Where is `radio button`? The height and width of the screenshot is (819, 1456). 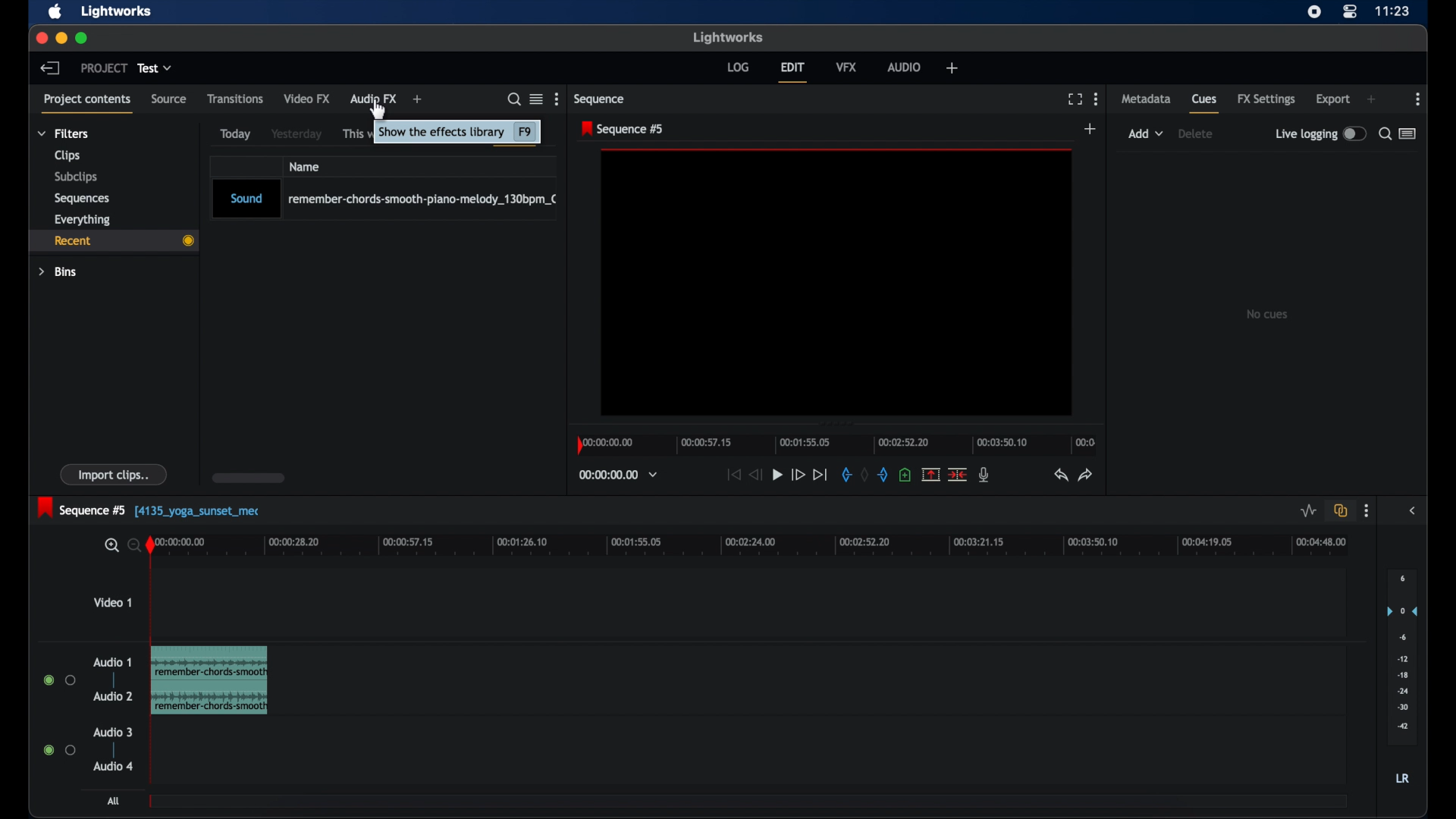 radio button is located at coordinates (60, 749).